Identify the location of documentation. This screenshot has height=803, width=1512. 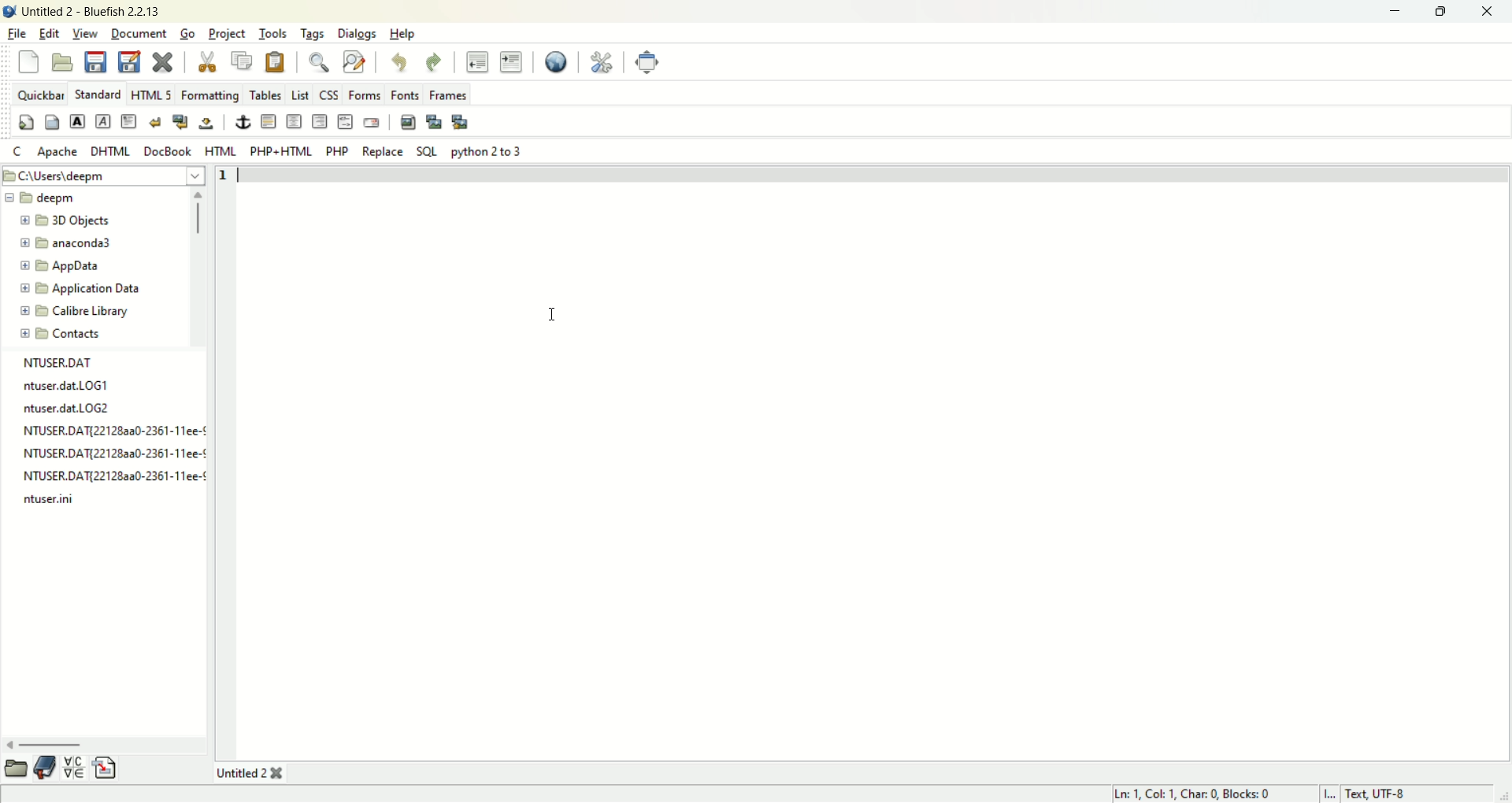
(46, 766).